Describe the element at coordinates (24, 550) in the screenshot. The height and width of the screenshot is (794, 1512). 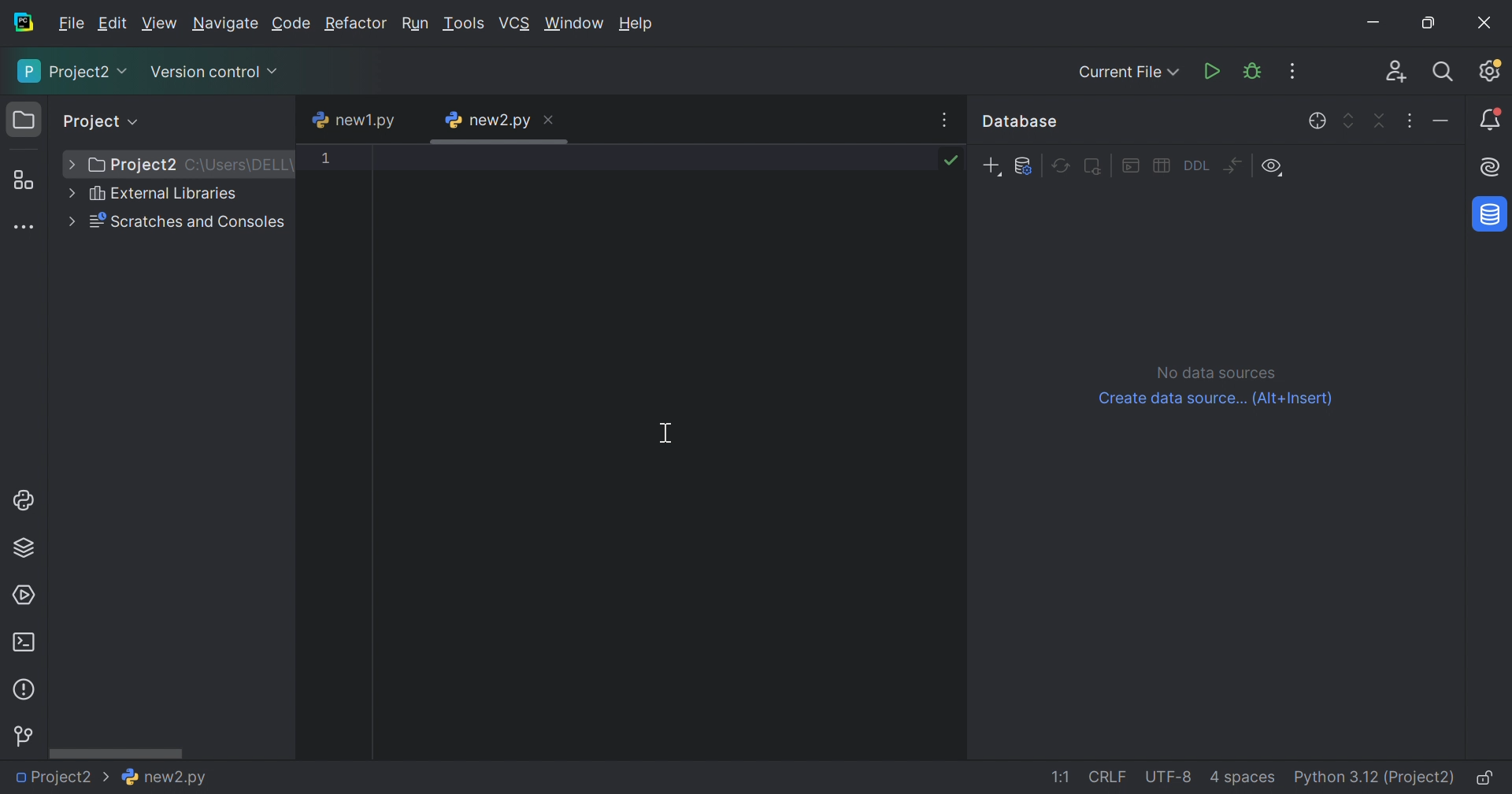
I see `Python Packages` at that location.